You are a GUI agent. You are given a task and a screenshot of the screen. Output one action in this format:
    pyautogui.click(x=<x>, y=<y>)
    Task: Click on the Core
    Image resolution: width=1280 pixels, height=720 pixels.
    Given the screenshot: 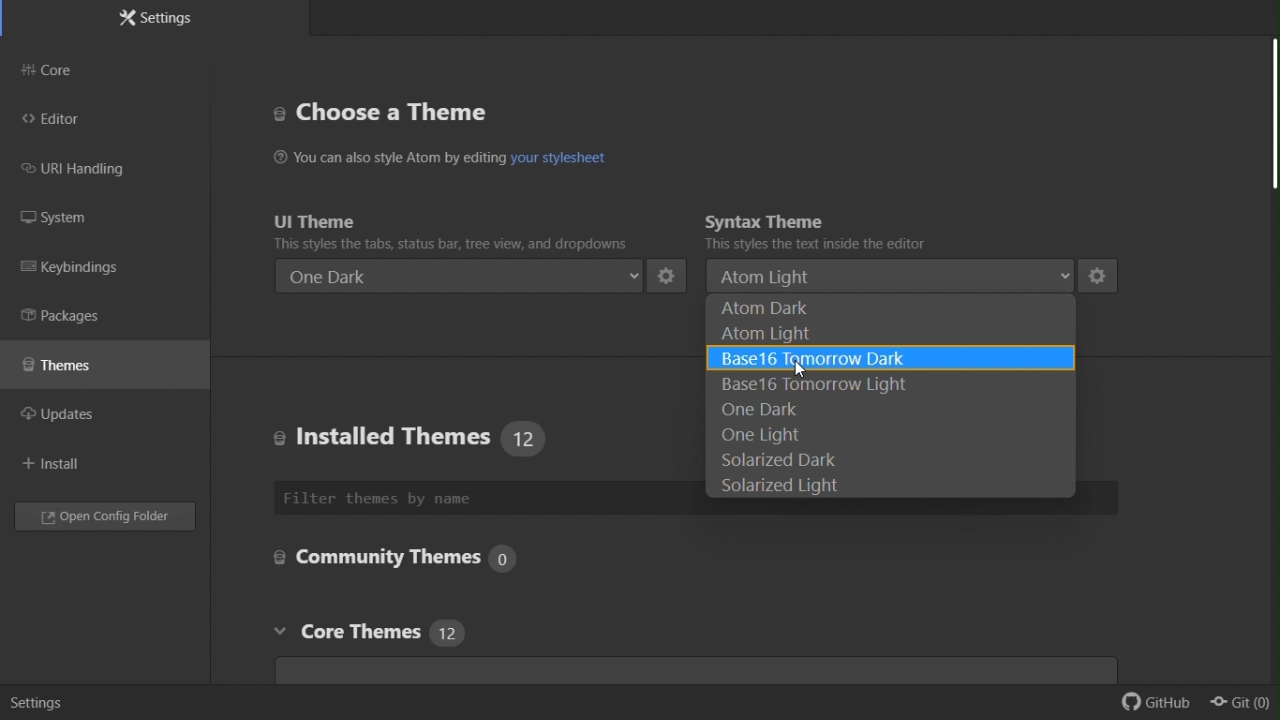 What is the action you would take?
    pyautogui.click(x=60, y=66)
    